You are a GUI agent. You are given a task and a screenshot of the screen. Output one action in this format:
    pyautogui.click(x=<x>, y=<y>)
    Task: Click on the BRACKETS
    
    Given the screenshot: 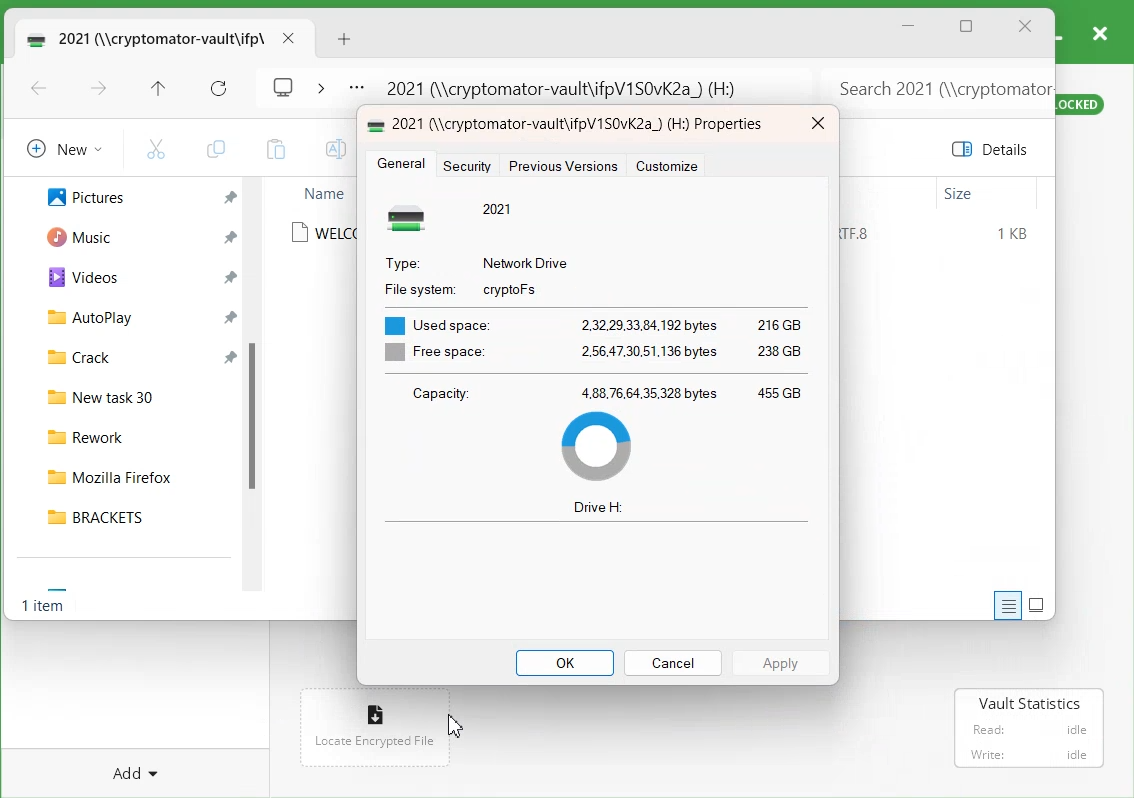 What is the action you would take?
    pyautogui.click(x=131, y=516)
    